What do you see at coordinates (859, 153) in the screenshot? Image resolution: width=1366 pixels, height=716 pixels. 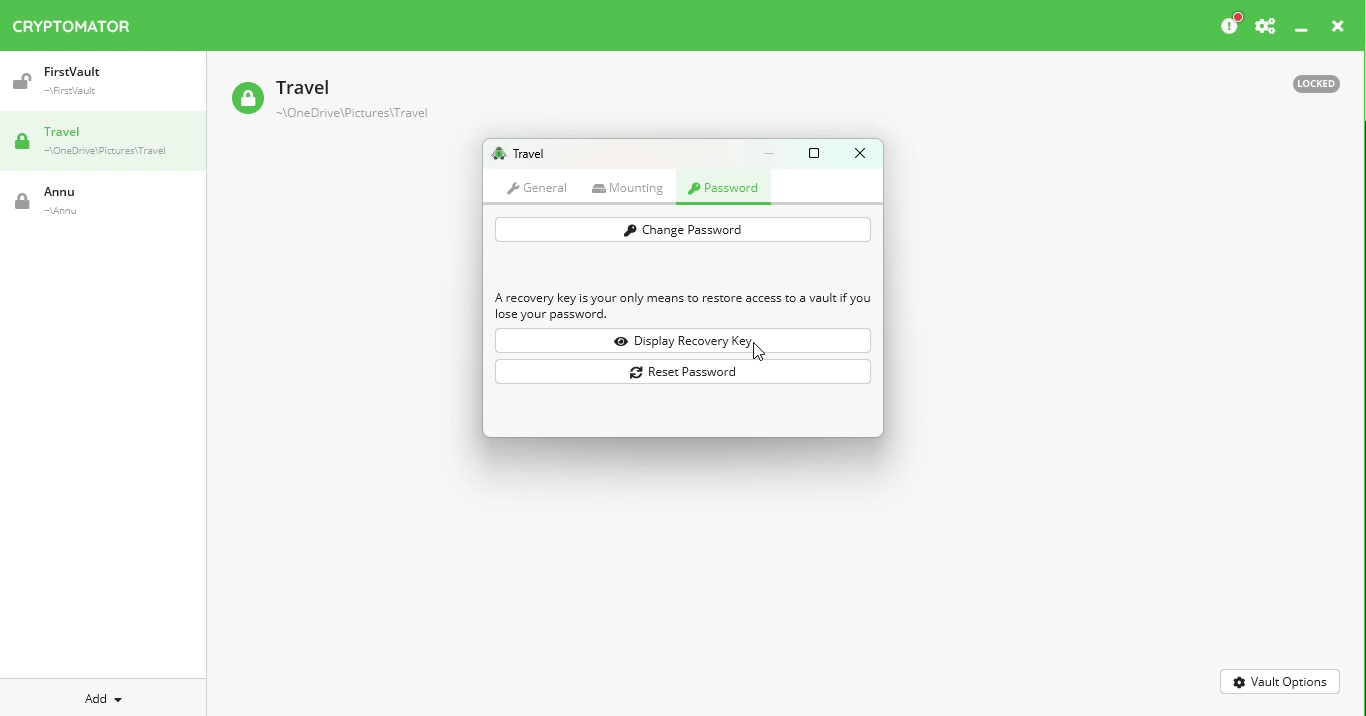 I see `Close` at bounding box center [859, 153].